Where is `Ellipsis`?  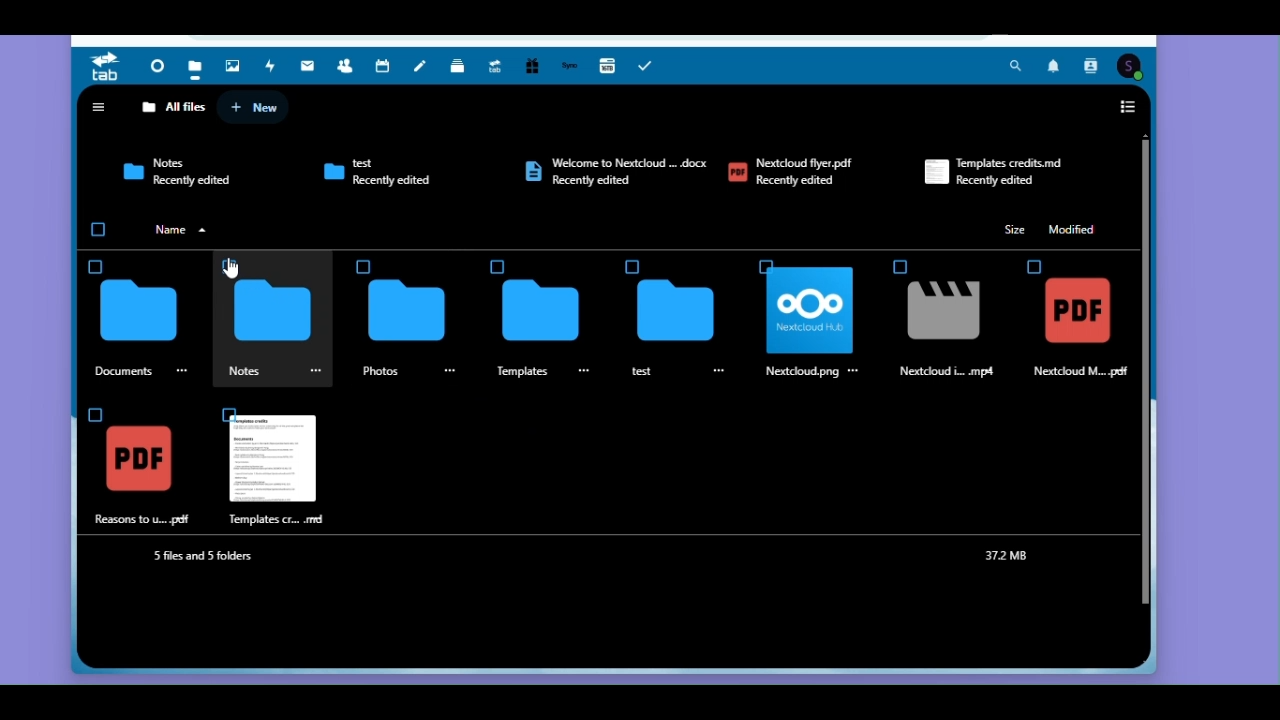 Ellipsis is located at coordinates (854, 369).